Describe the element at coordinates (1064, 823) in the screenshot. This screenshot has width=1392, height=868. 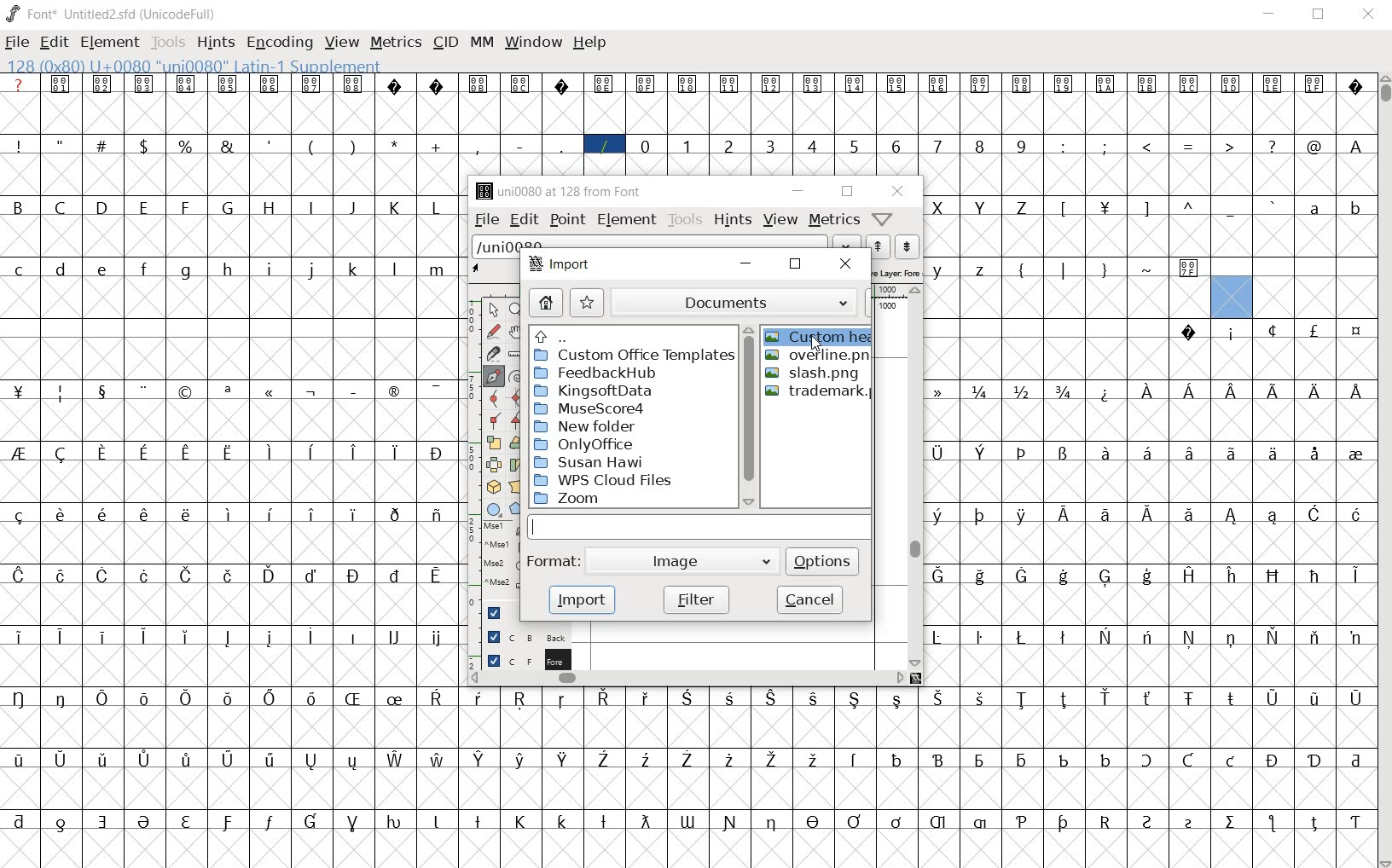
I see `glyph` at that location.